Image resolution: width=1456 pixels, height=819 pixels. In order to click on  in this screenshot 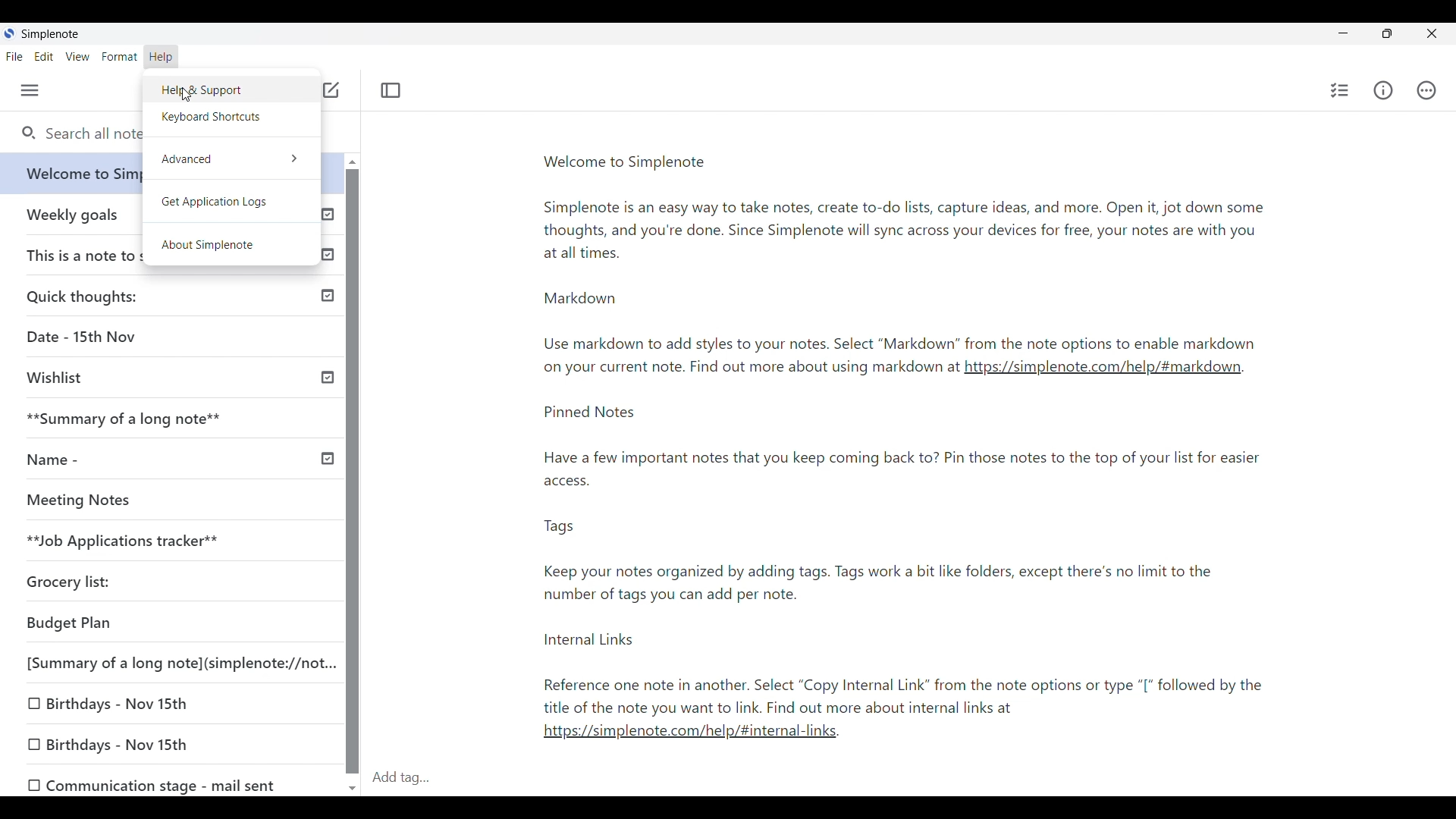, I will do `click(327, 459)`.